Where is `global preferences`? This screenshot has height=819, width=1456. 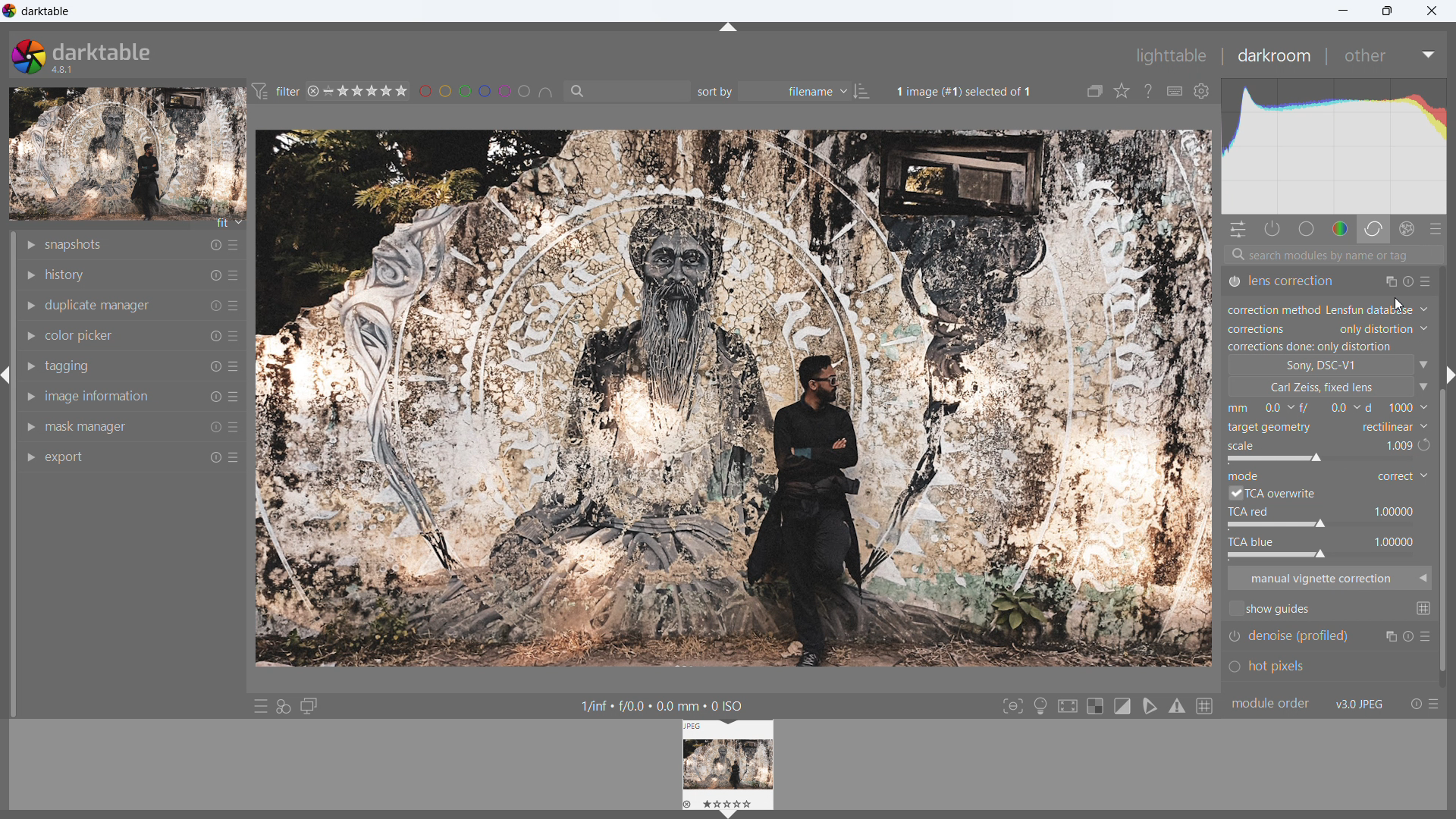 global preferences is located at coordinates (1202, 91).